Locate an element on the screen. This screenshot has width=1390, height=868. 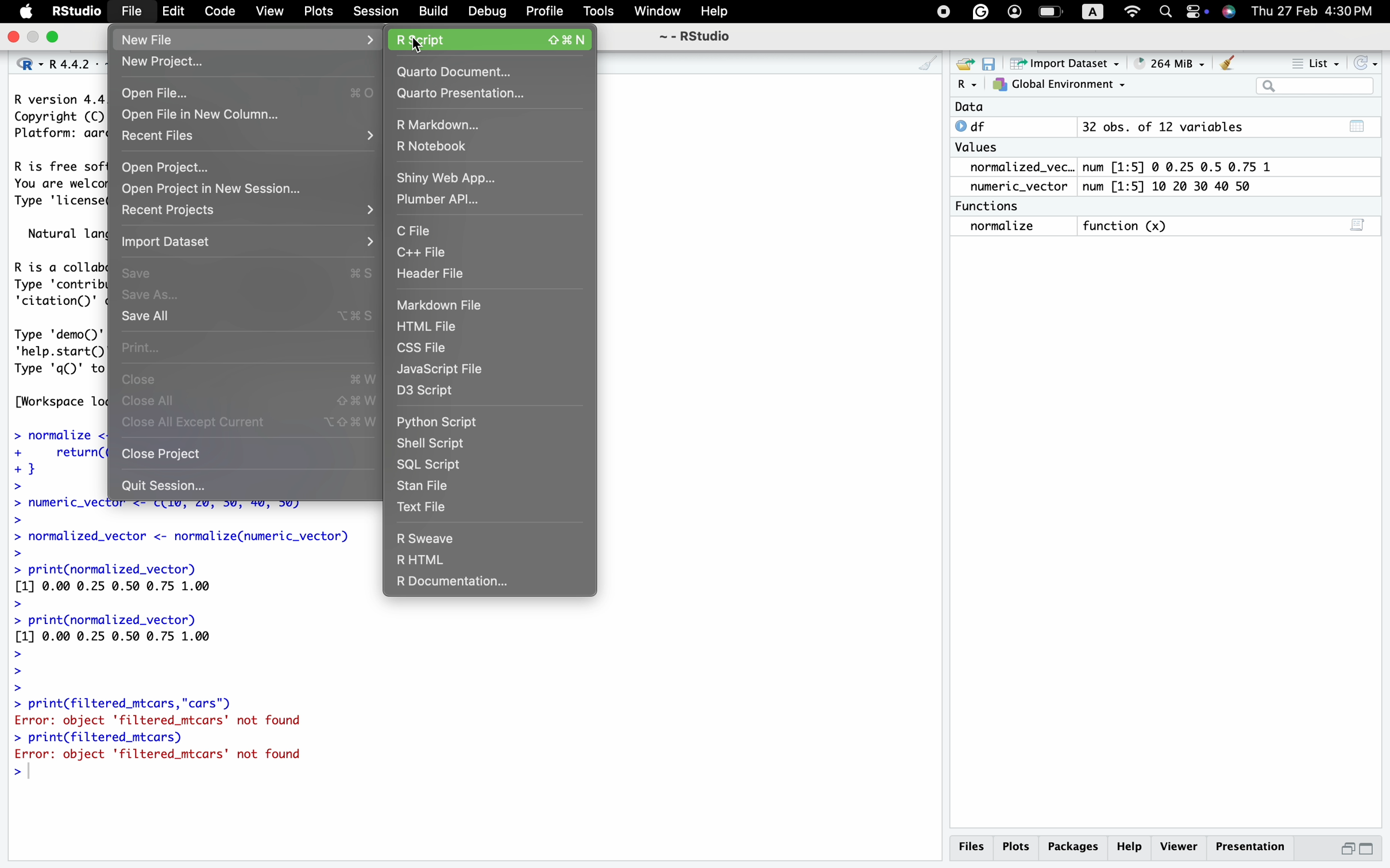
build is located at coordinates (433, 11).